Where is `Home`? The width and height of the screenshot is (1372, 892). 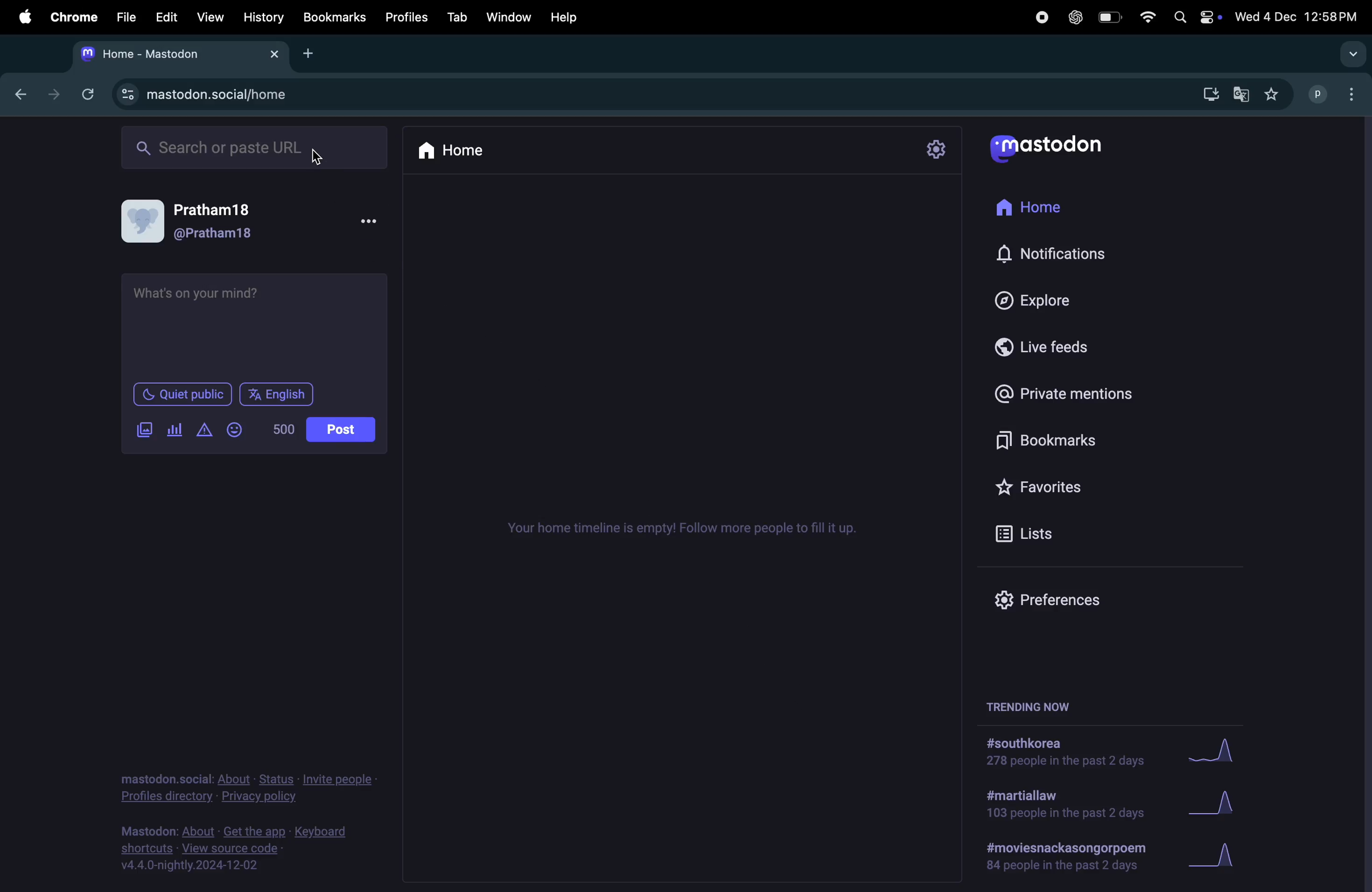
Home is located at coordinates (474, 150).